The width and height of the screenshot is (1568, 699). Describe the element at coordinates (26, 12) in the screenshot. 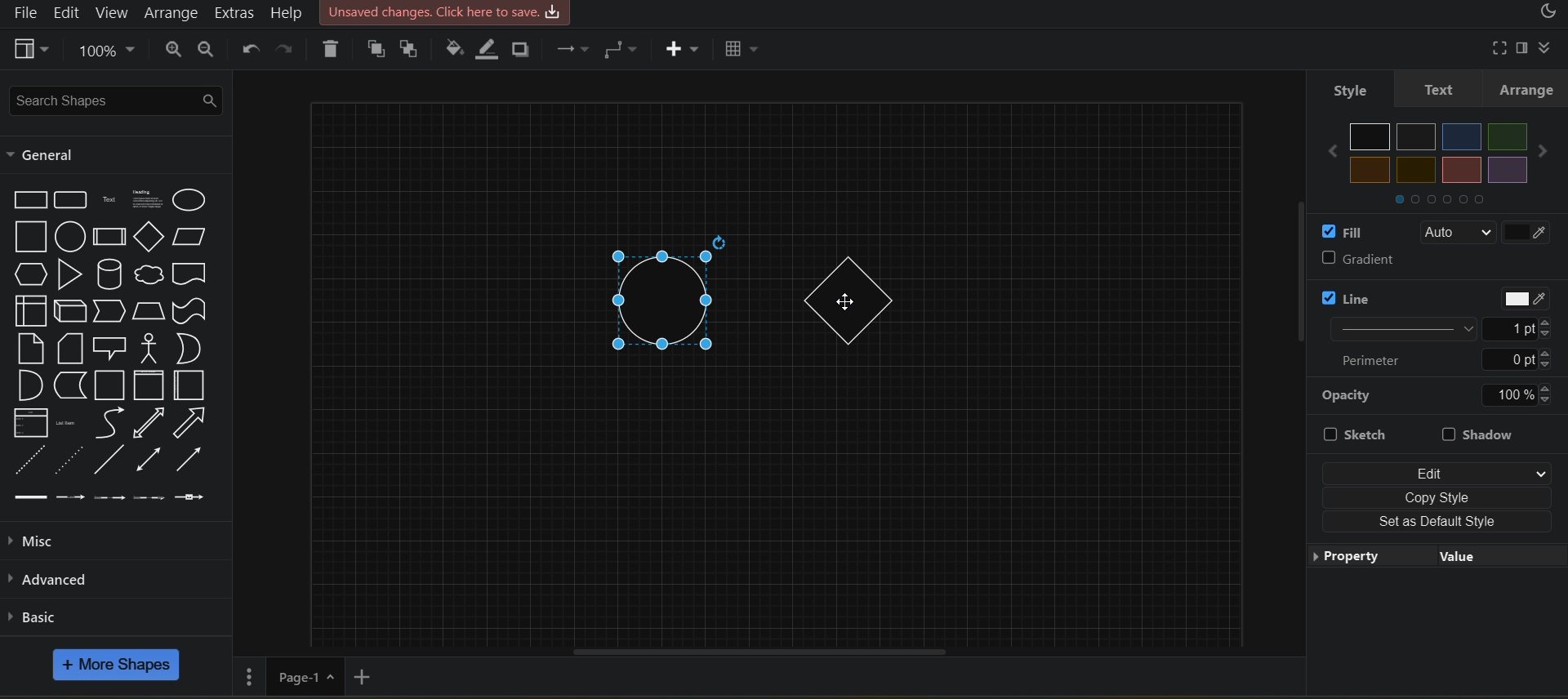

I see `file` at that location.